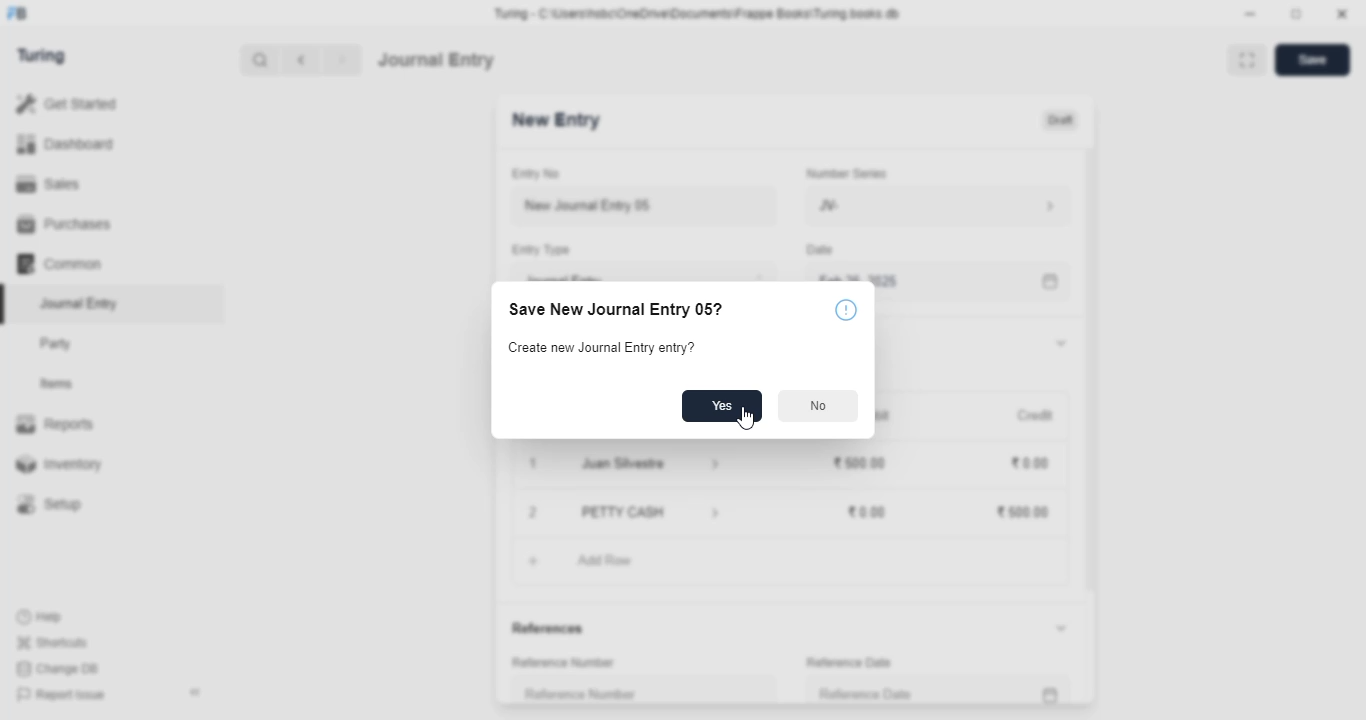 This screenshot has height=720, width=1366. I want to click on close, so click(1342, 14).